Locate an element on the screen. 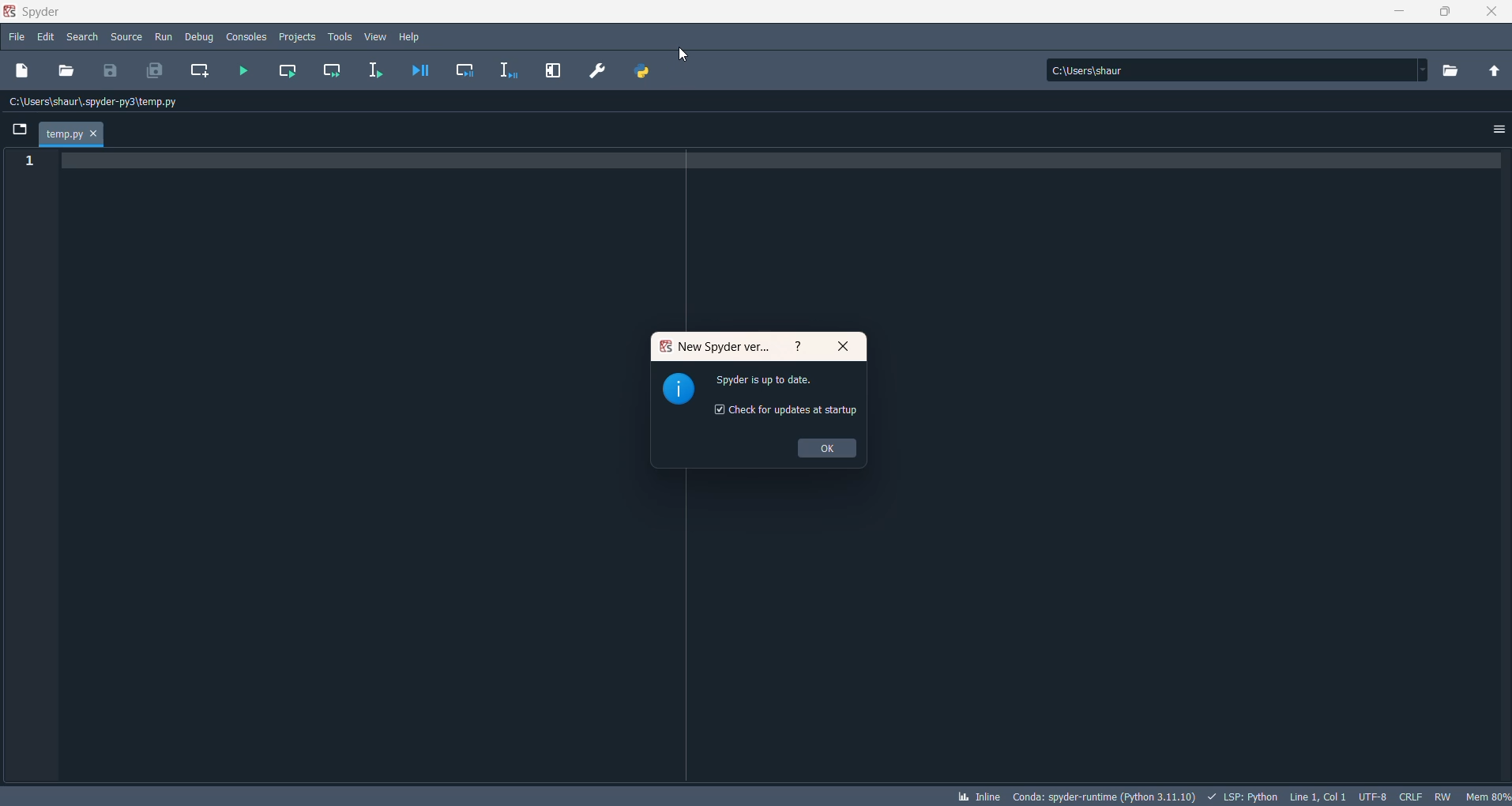  file control is located at coordinates (1442, 797).